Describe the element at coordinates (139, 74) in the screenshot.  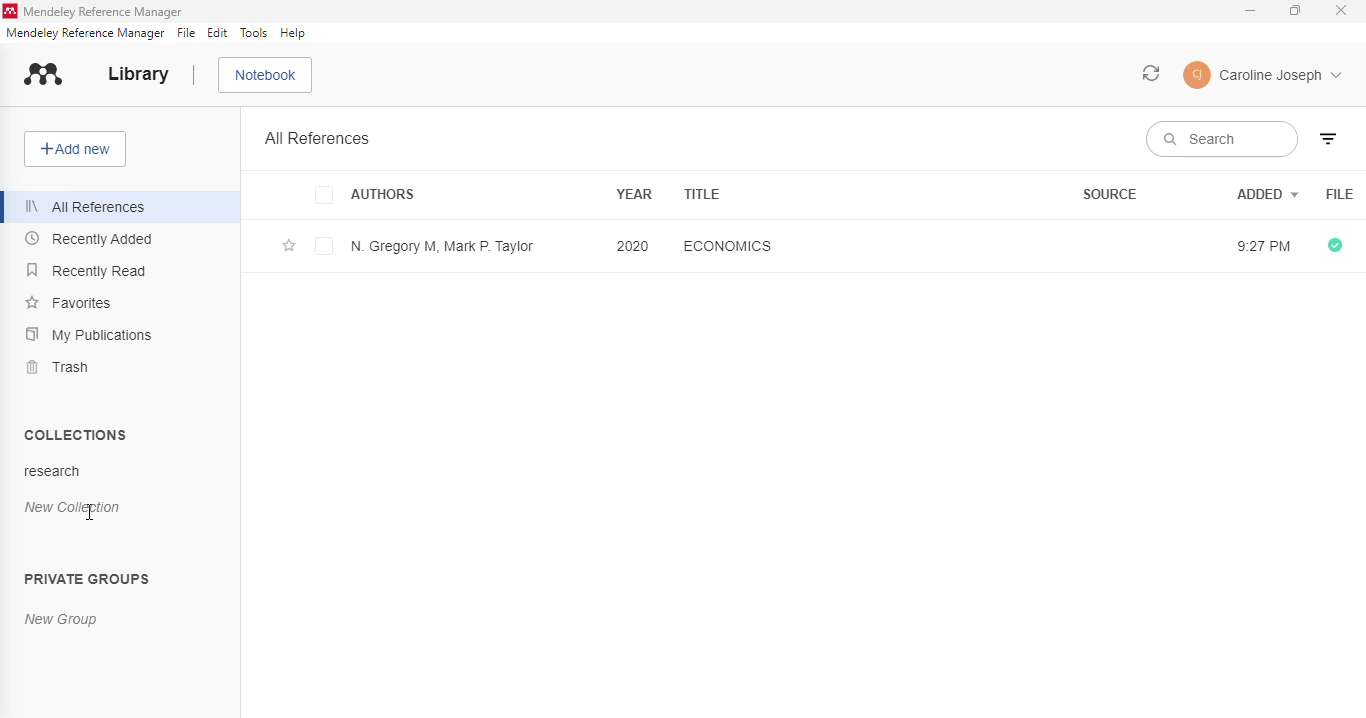
I see `library` at that location.